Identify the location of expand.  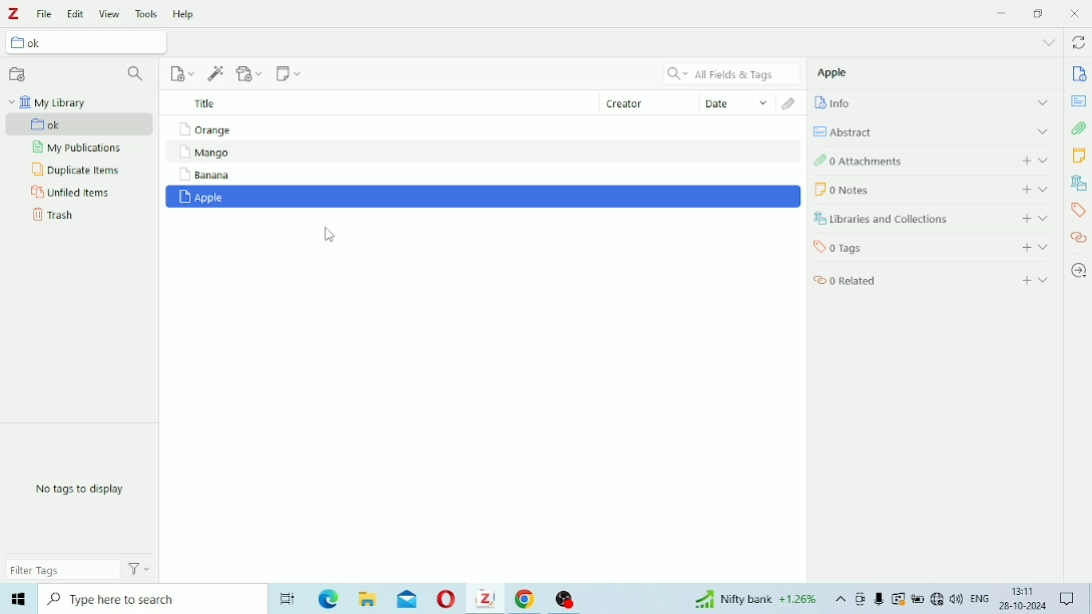
(1048, 282).